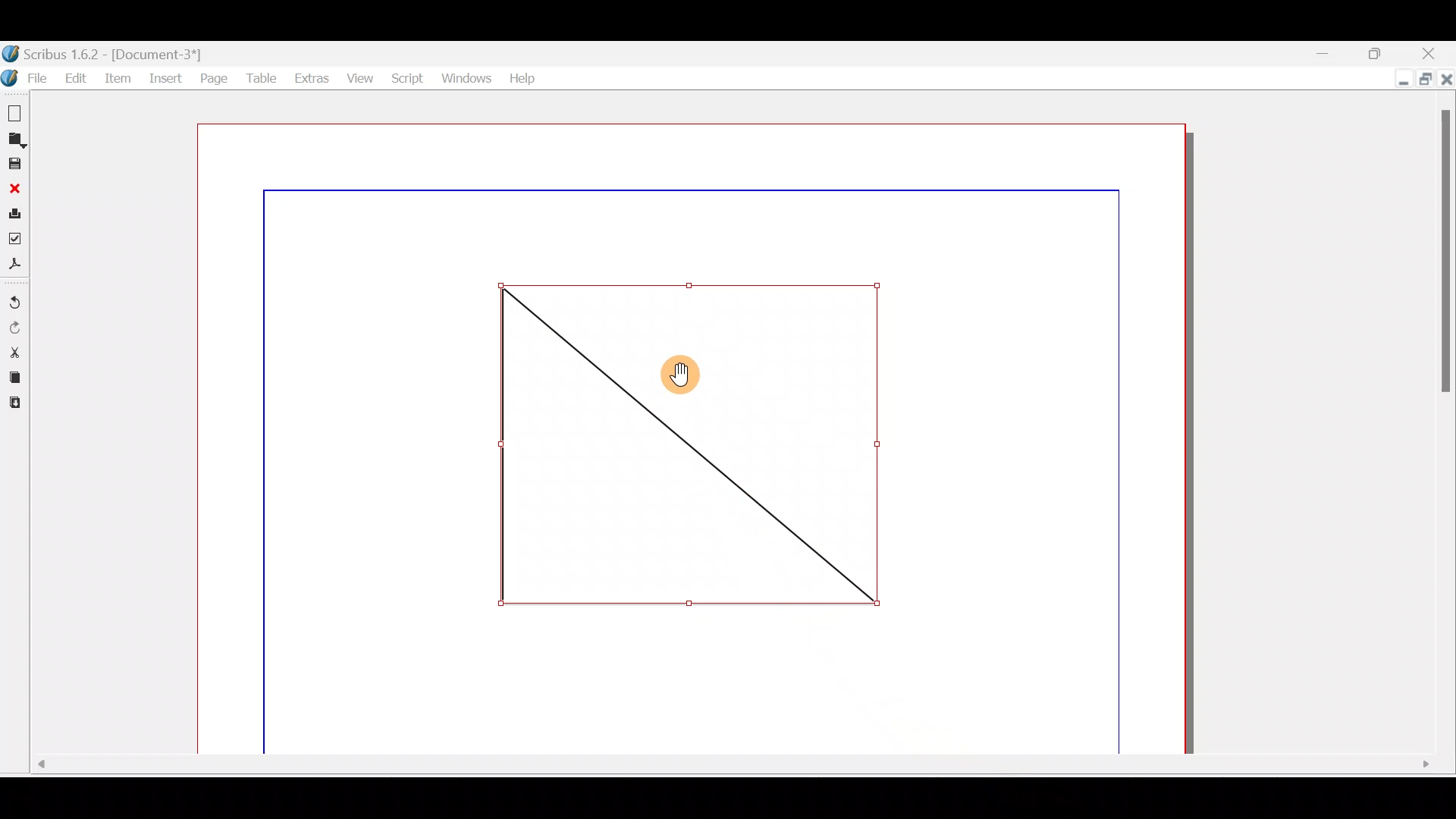 The image size is (1456, 819). I want to click on View, so click(358, 75).